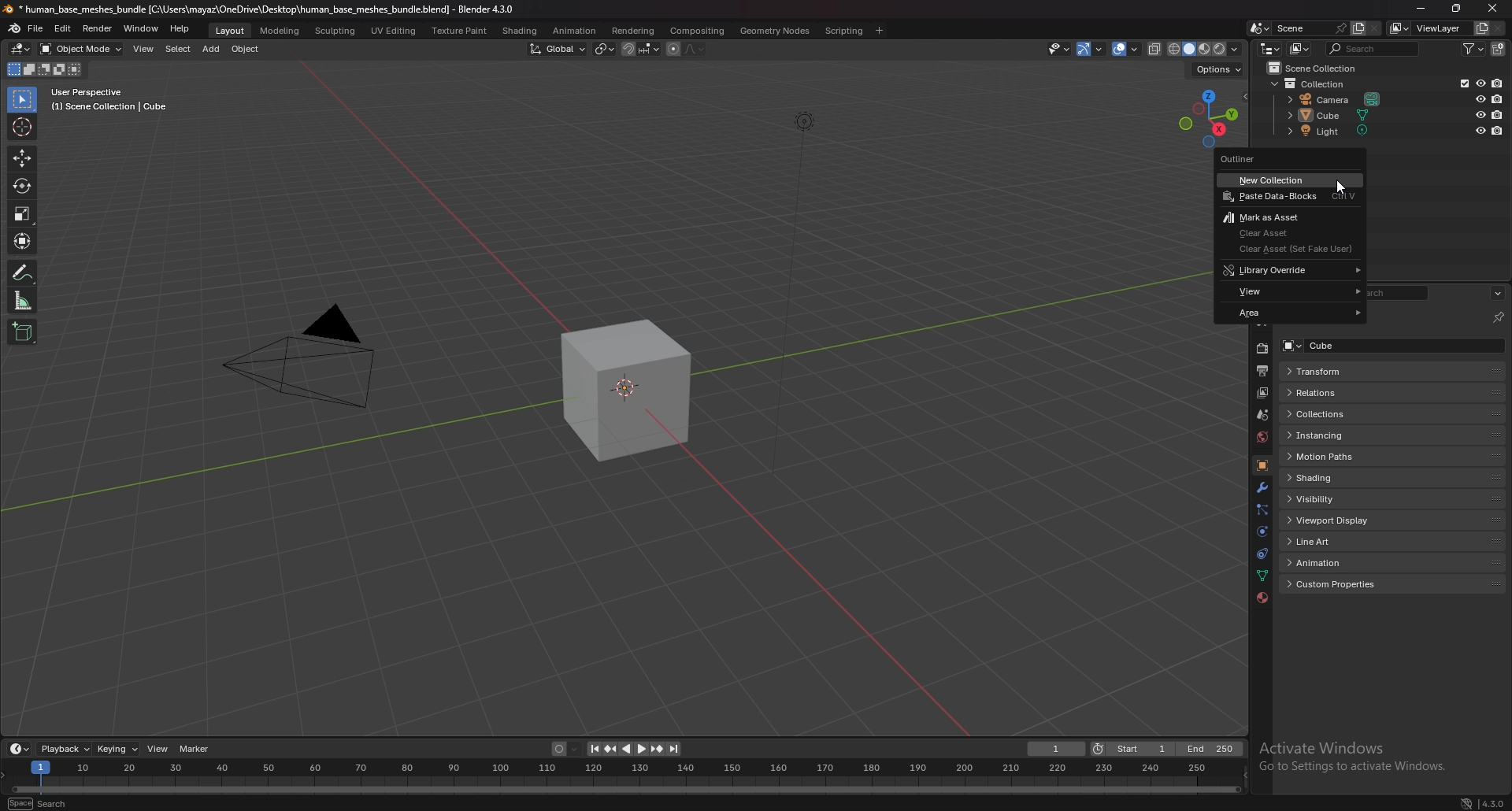 The image size is (1512, 811). What do you see at coordinates (1262, 510) in the screenshot?
I see `particles` at bounding box center [1262, 510].